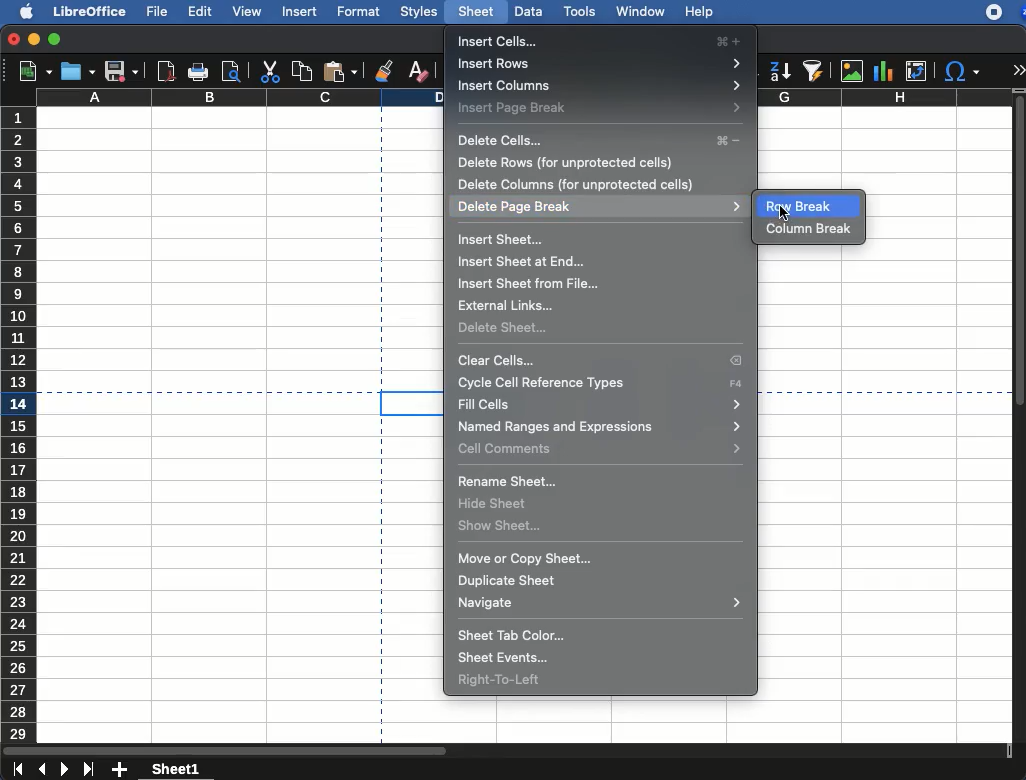  What do you see at coordinates (525, 559) in the screenshot?
I see `move or copy sheet` at bounding box center [525, 559].